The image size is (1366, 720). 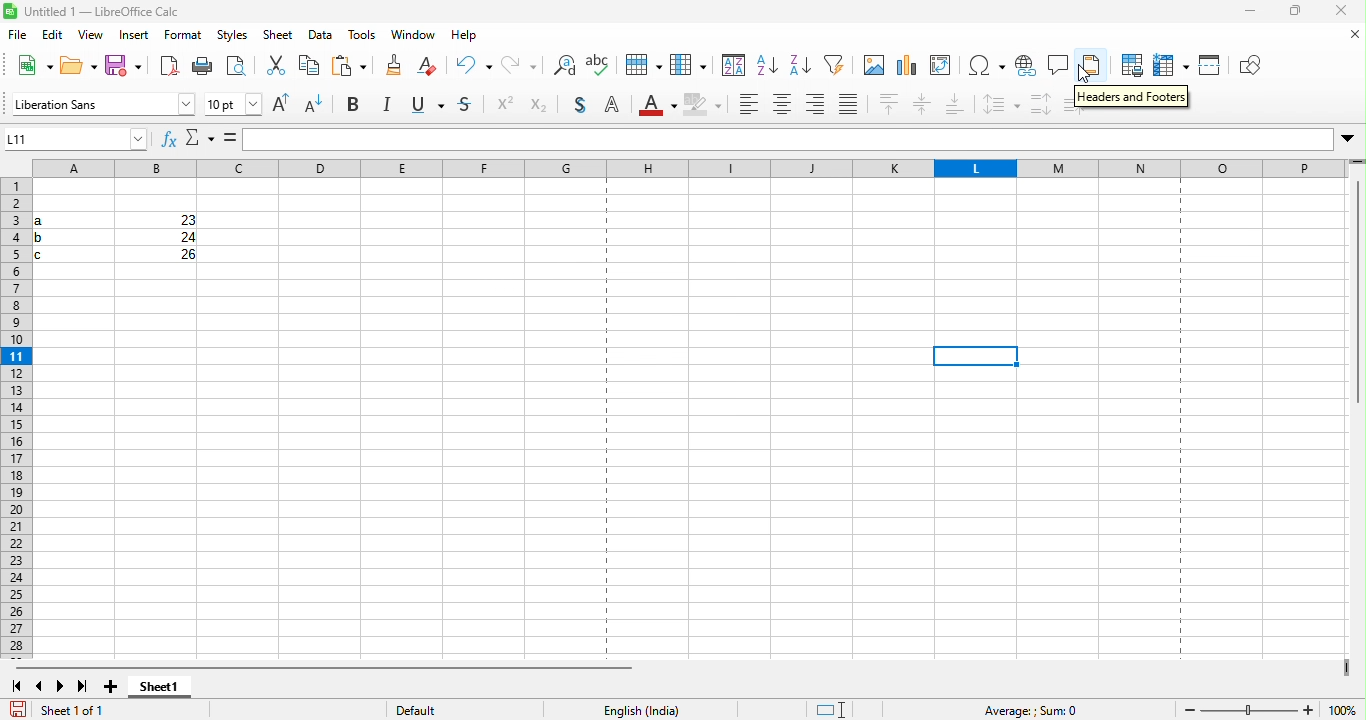 I want to click on data, so click(x=317, y=39).